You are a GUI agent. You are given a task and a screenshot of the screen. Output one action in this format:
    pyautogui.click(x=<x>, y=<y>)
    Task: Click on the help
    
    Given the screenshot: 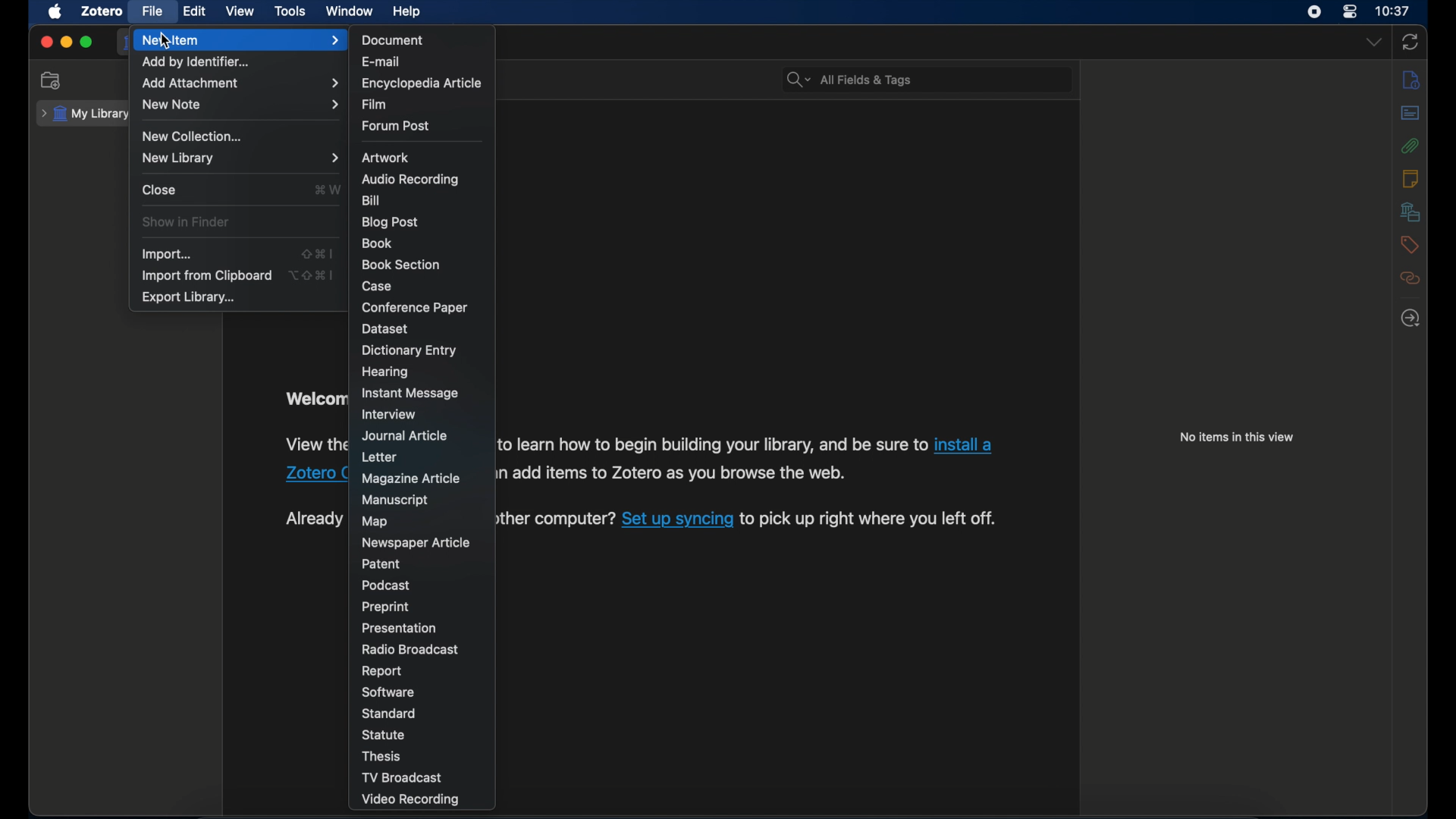 What is the action you would take?
    pyautogui.click(x=406, y=12)
    